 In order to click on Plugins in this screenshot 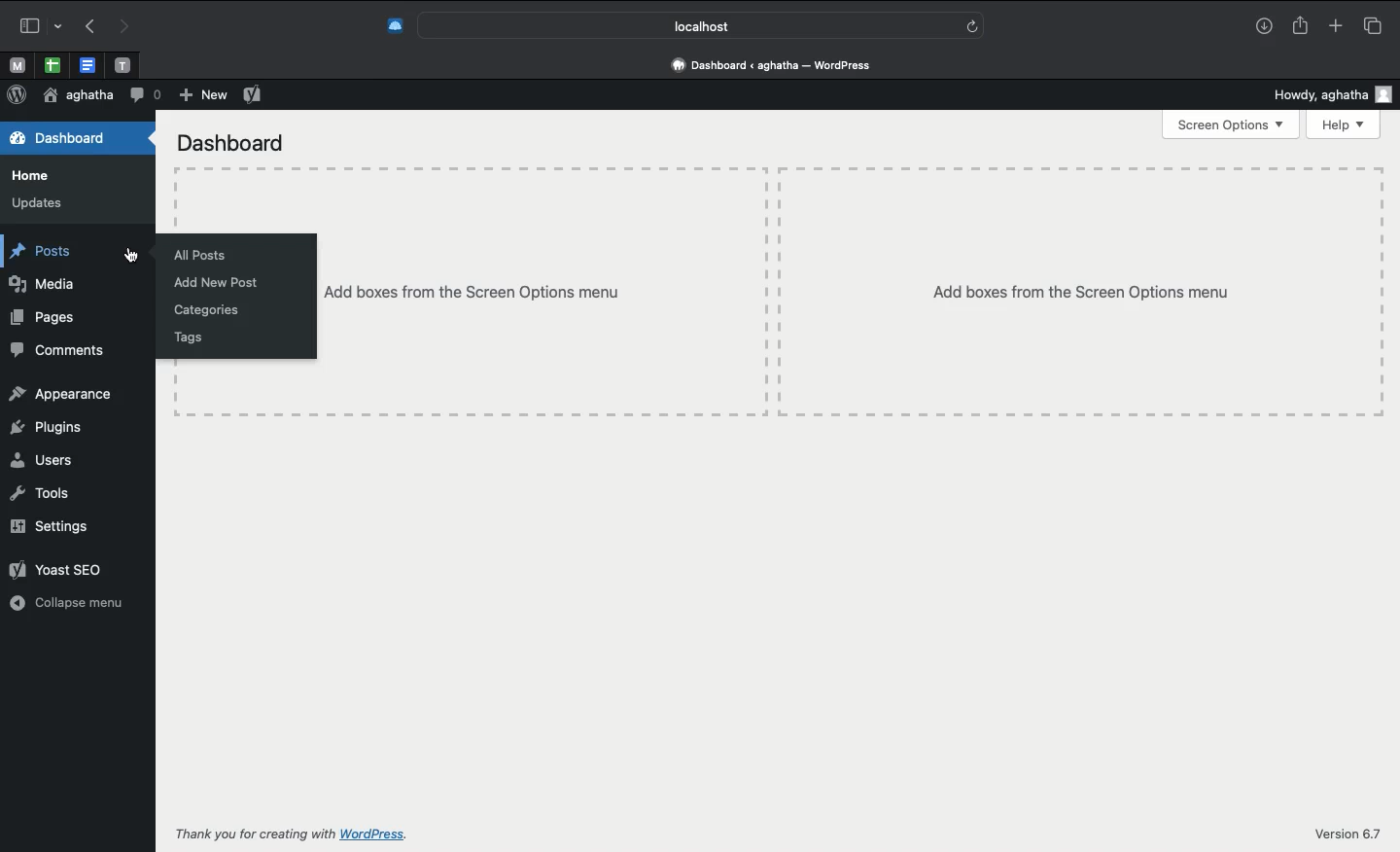, I will do `click(47, 428)`.